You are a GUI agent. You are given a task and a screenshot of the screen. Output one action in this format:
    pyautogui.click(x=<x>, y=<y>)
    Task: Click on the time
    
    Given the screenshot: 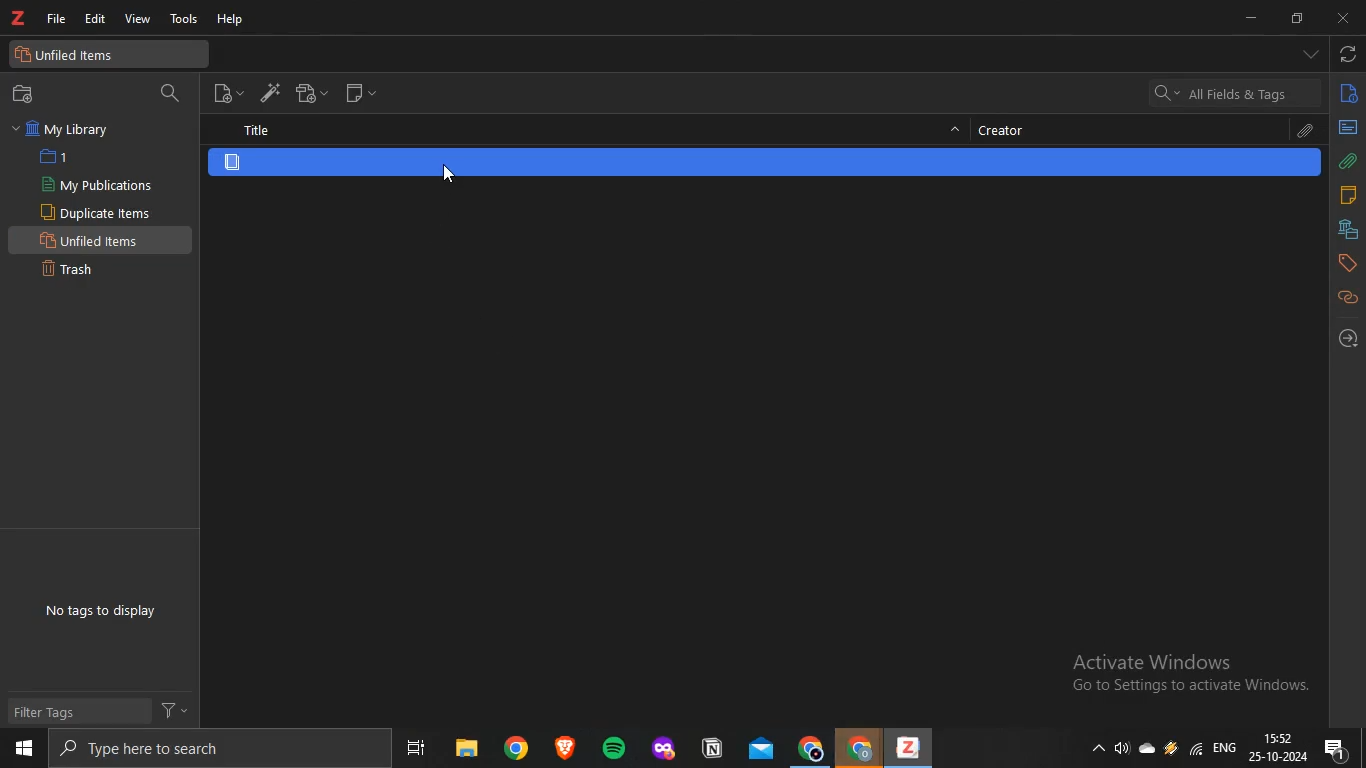 What is the action you would take?
    pyautogui.click(x=1279, y=737)
    